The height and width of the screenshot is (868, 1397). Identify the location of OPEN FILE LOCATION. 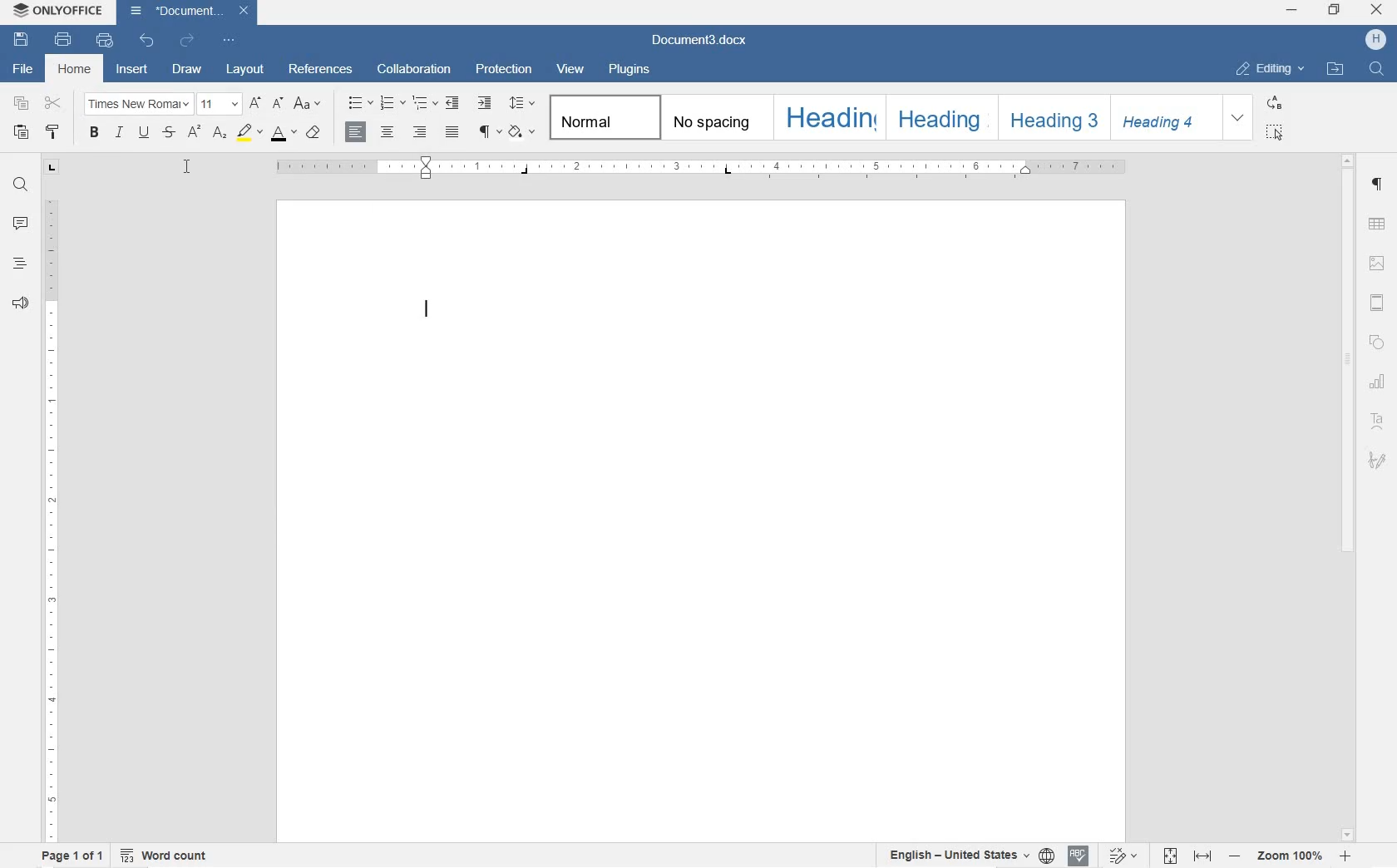
(1335, 67).